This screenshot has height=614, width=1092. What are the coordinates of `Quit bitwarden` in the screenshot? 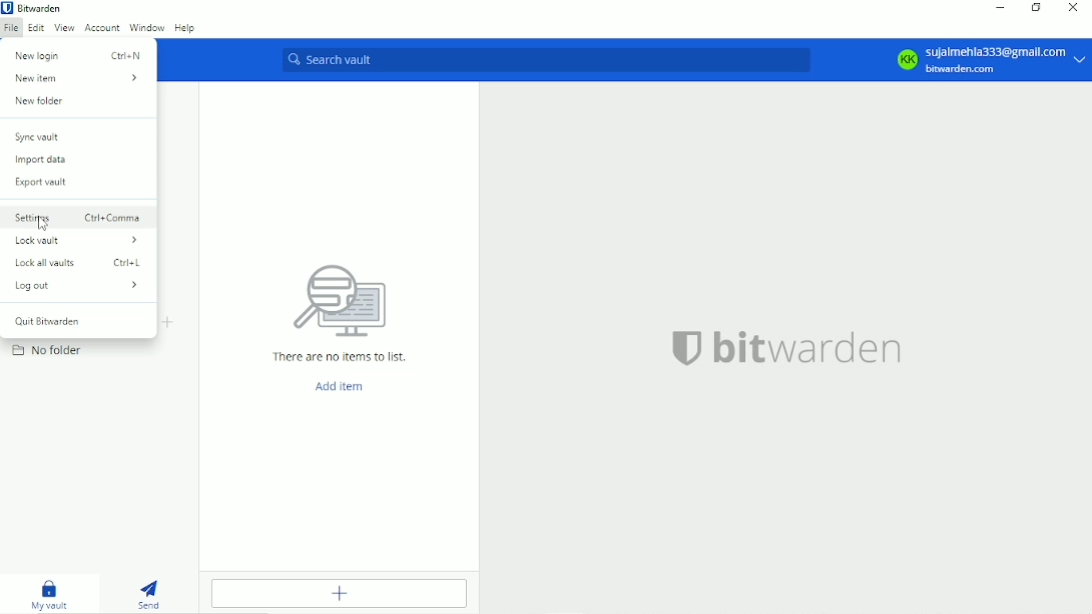 It's located at (50, 321).